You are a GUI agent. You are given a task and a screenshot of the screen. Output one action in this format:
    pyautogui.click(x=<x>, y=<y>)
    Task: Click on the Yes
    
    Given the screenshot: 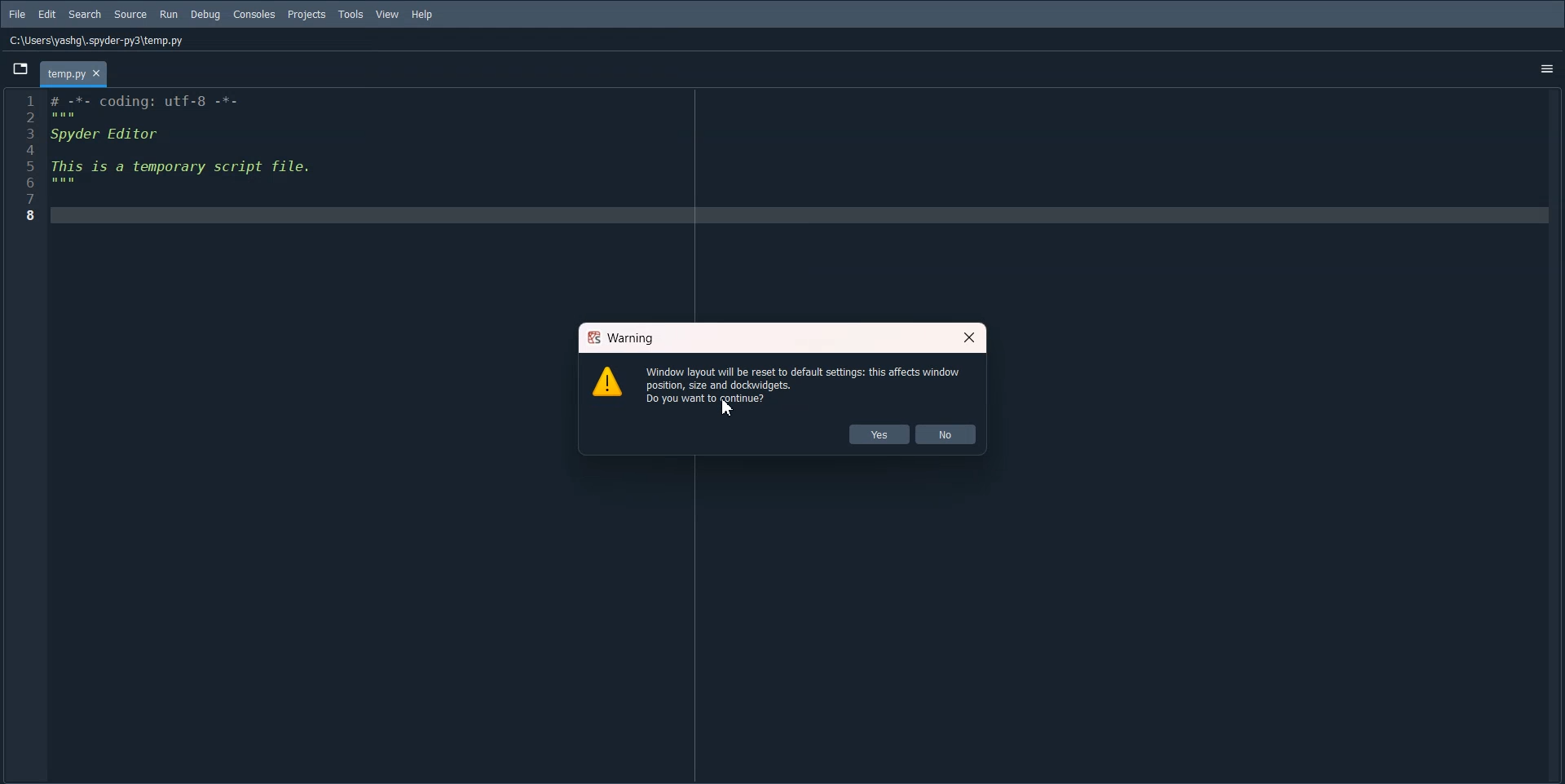 What is the action you would take?
    pyautogui.click(x=880, y=434)
    